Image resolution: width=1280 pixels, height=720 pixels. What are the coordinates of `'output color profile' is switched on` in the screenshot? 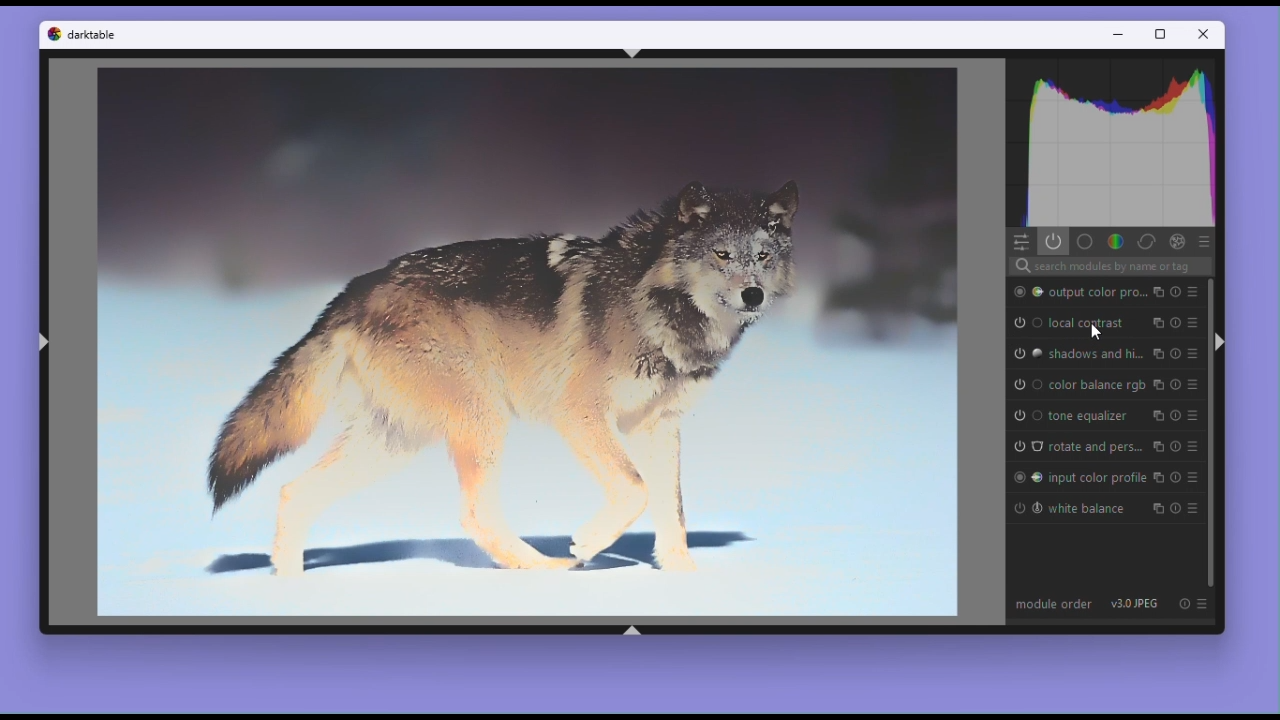 It's located at (1025, 291).